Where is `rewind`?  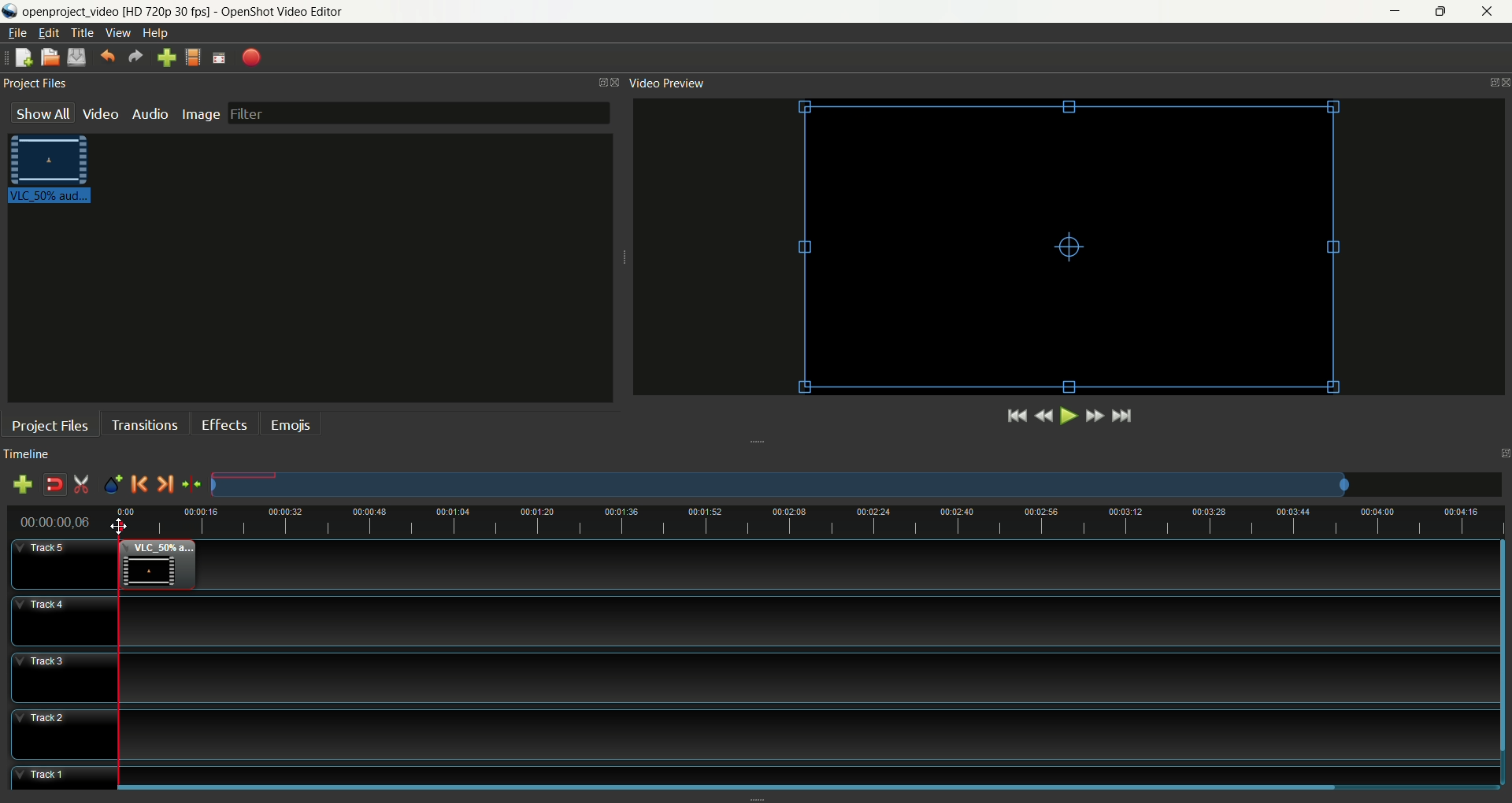
rewind is located at coordinates (1043, 417).